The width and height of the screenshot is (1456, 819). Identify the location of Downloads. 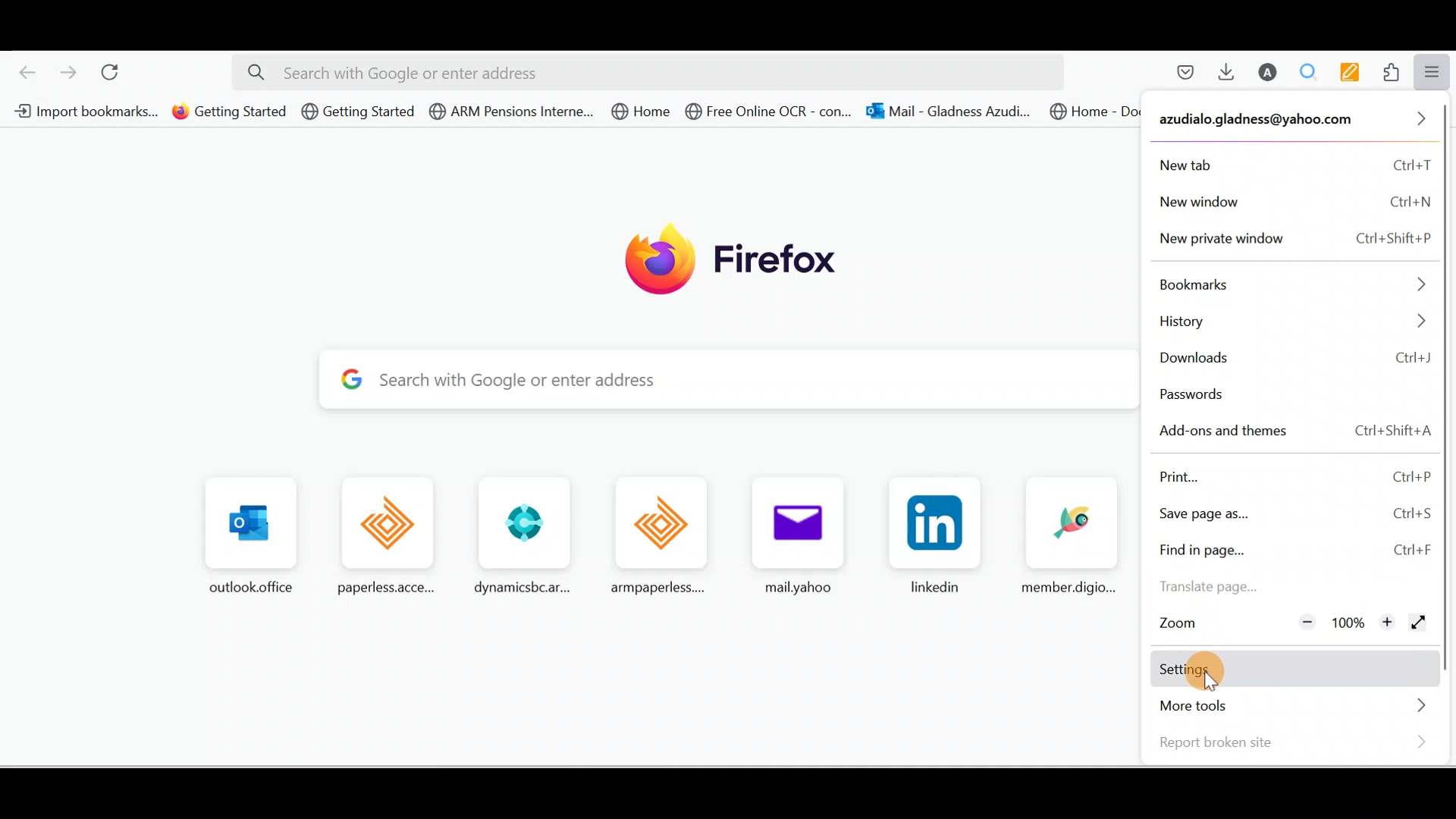
(1298, 360).